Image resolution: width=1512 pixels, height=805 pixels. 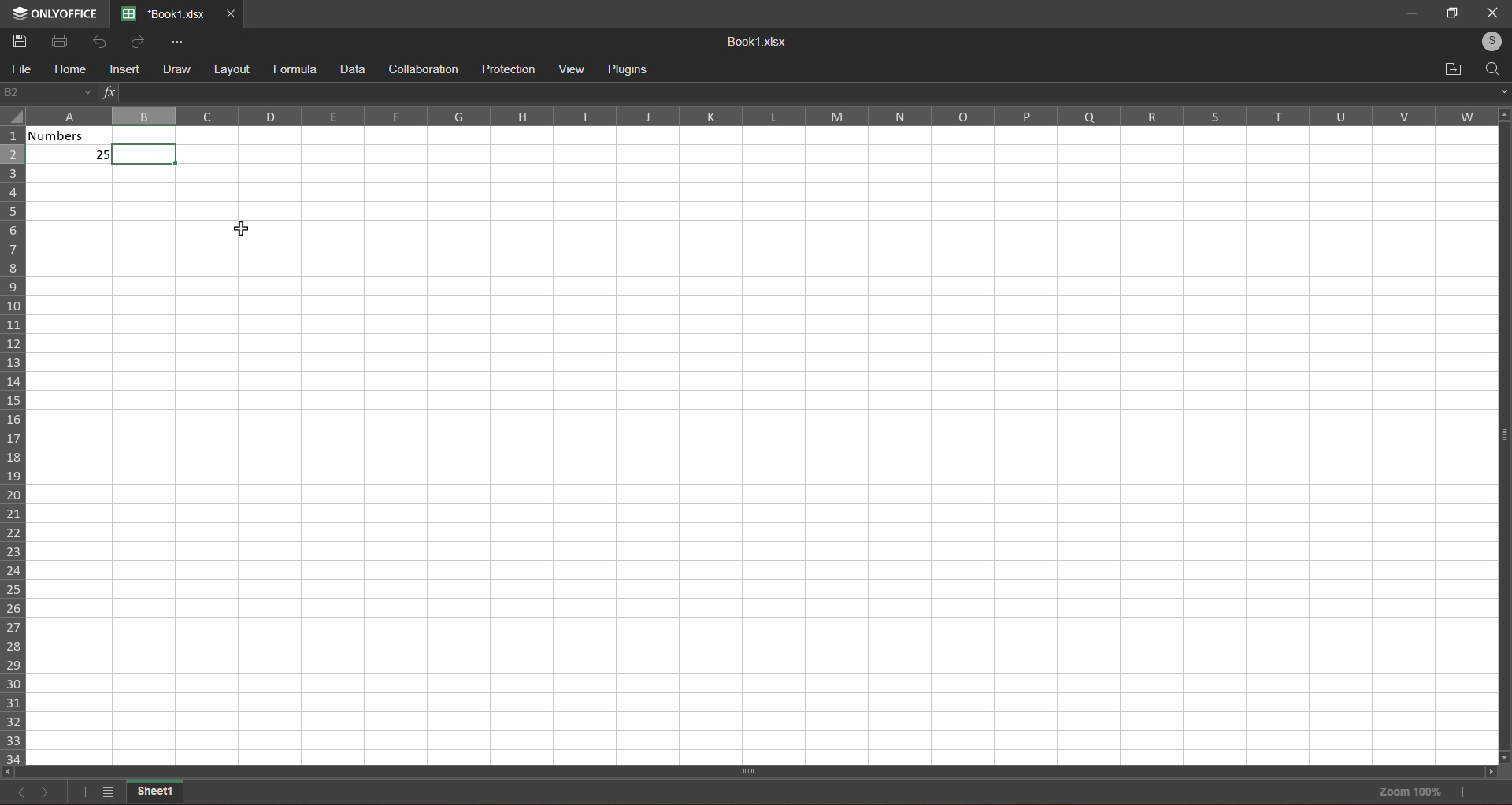 I want to click on maximize, so click(x=1451, y=13).